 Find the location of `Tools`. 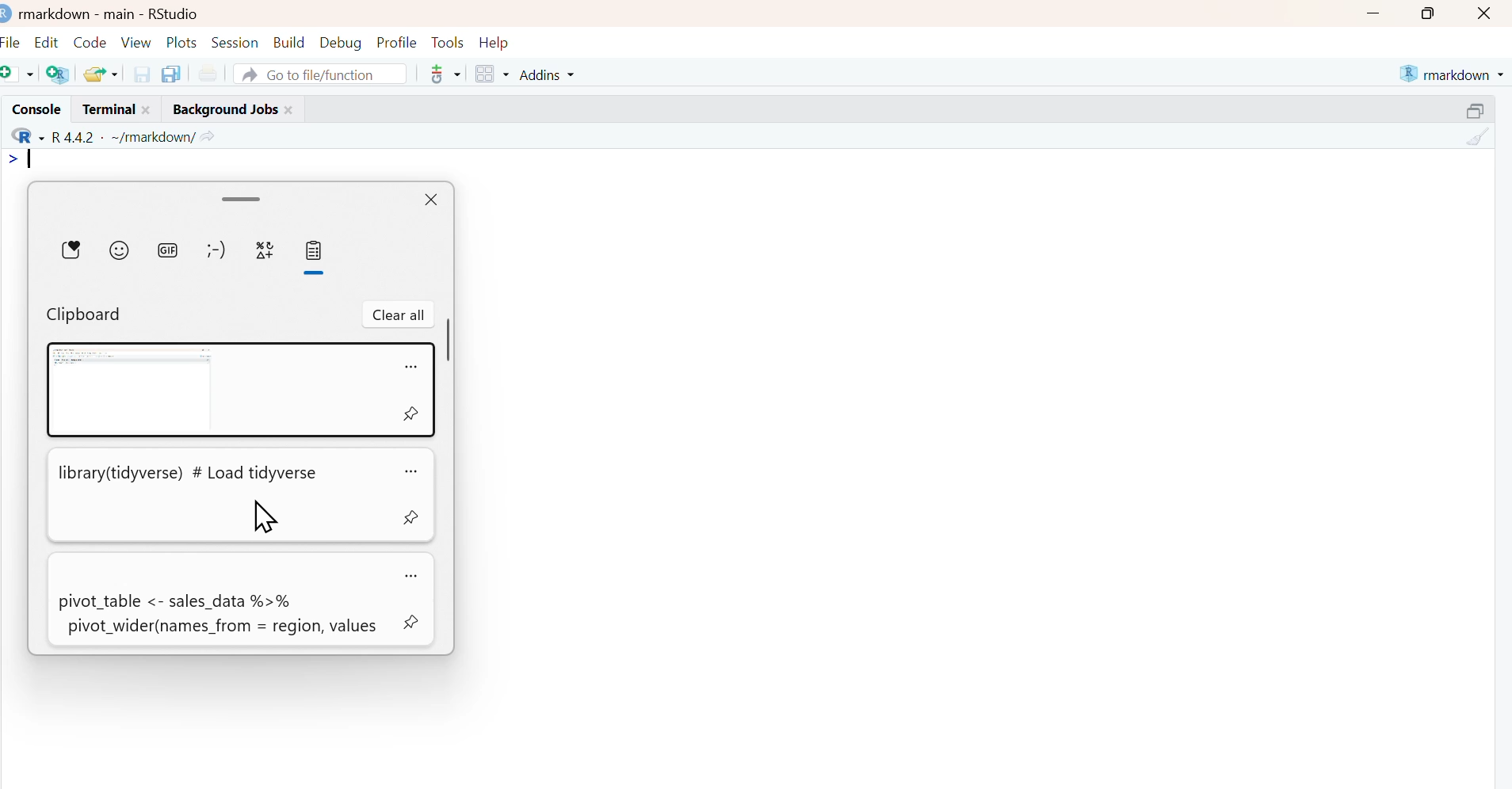

Tools is located at coordinates (447, 40).